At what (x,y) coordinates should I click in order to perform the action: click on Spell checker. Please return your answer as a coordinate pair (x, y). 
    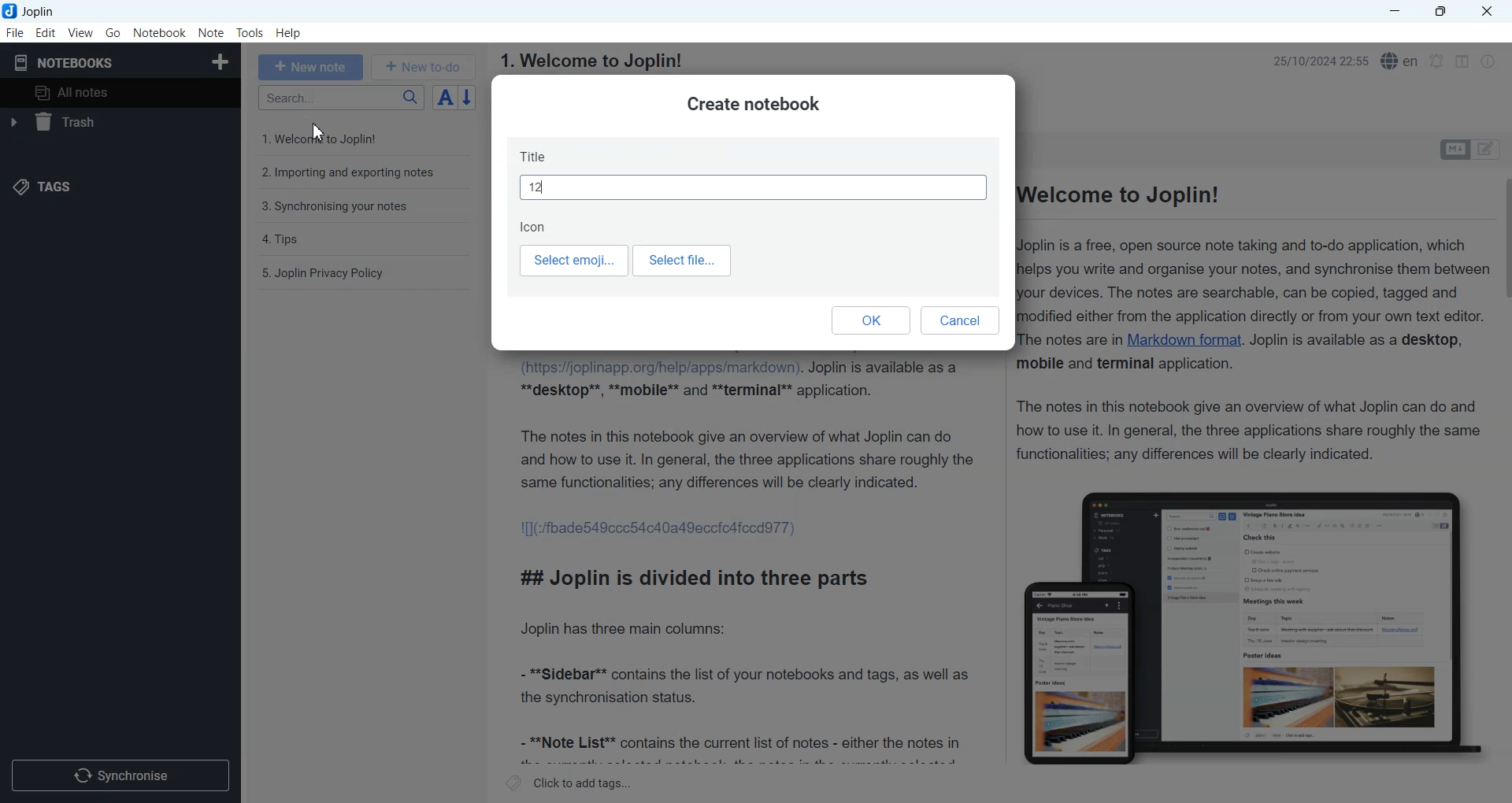
    Looking at the image, I should click on (1401, 61).